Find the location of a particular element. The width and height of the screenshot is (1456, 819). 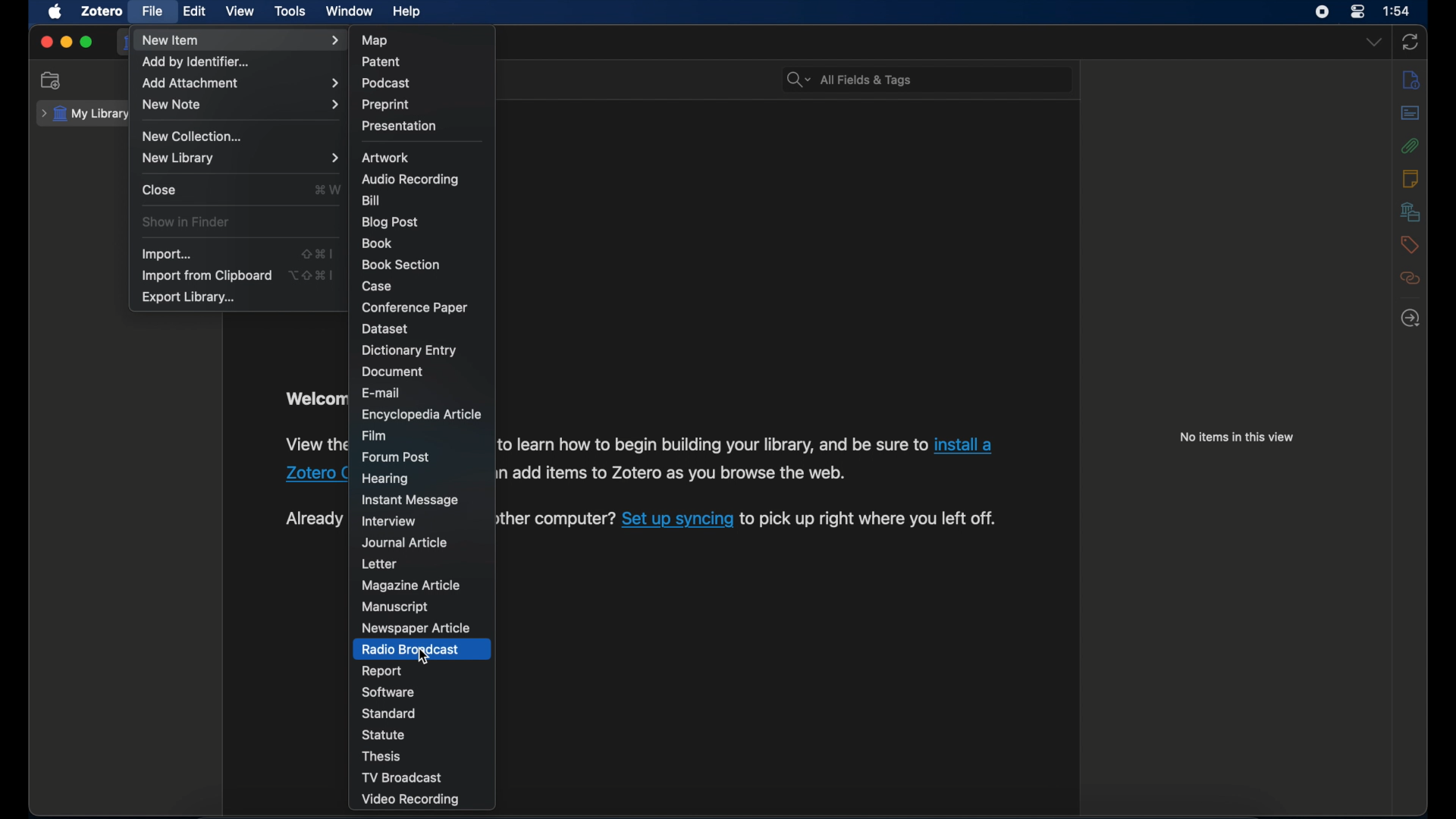

presentation is located at coordinates (400, 125).